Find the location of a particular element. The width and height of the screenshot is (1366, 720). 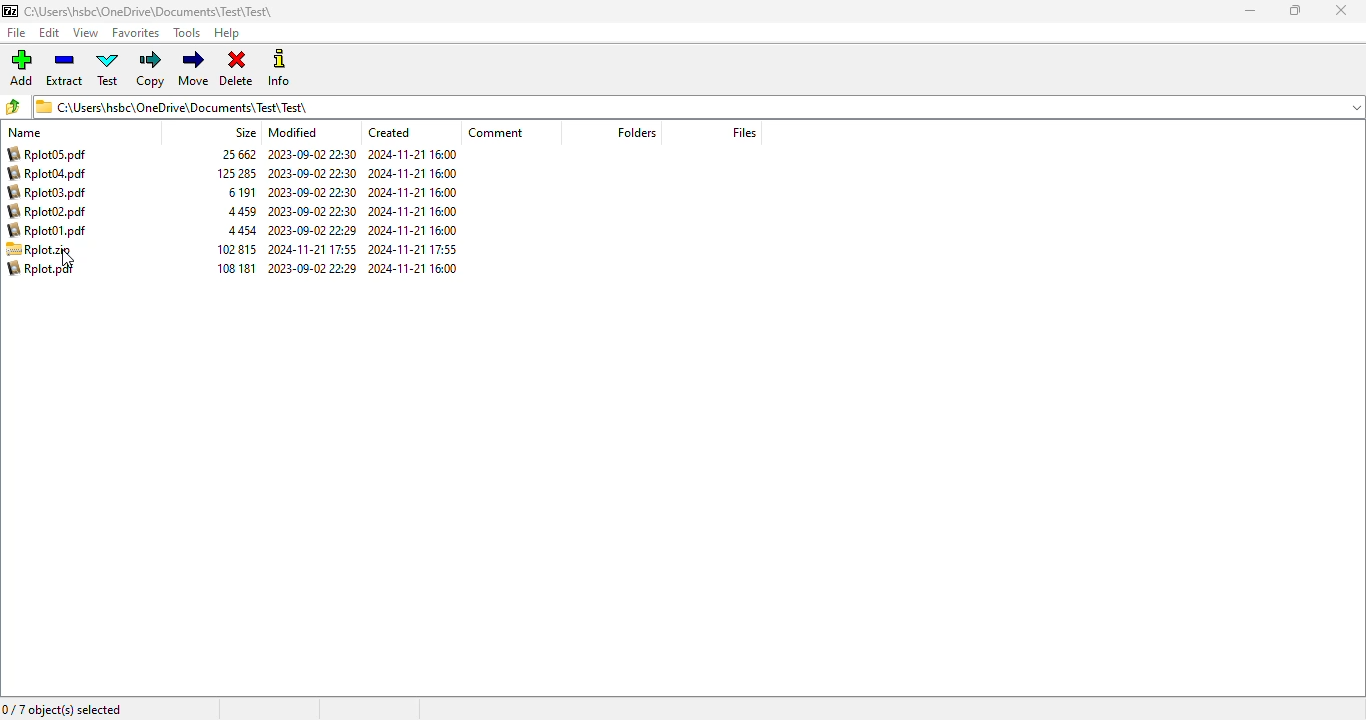

102 815 is located at coordinates (237, 250).